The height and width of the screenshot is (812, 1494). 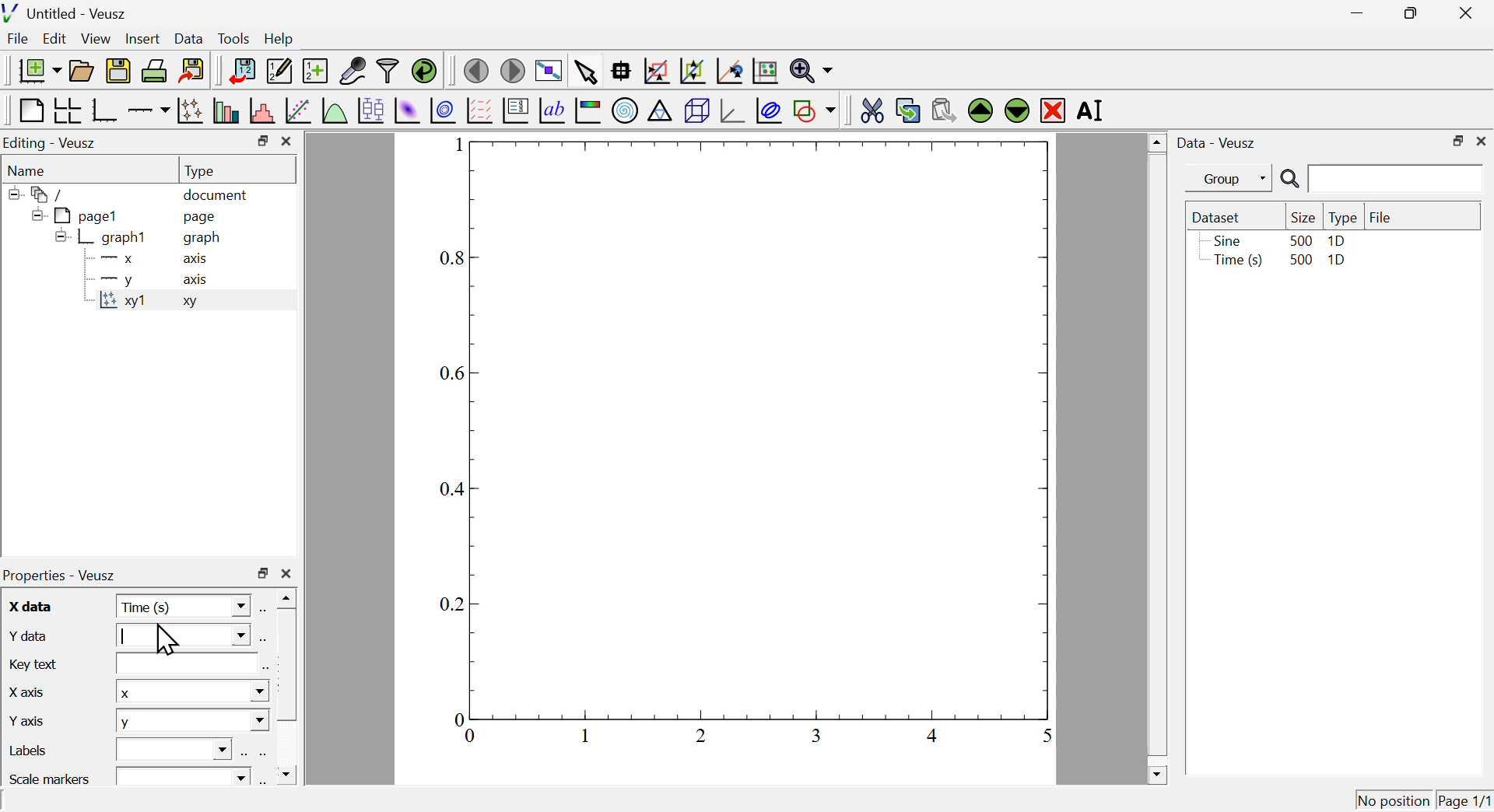 What do you see at coordinates (454, 259) in the screenshot?
I see `0.8` at bounding box center [454, 259].